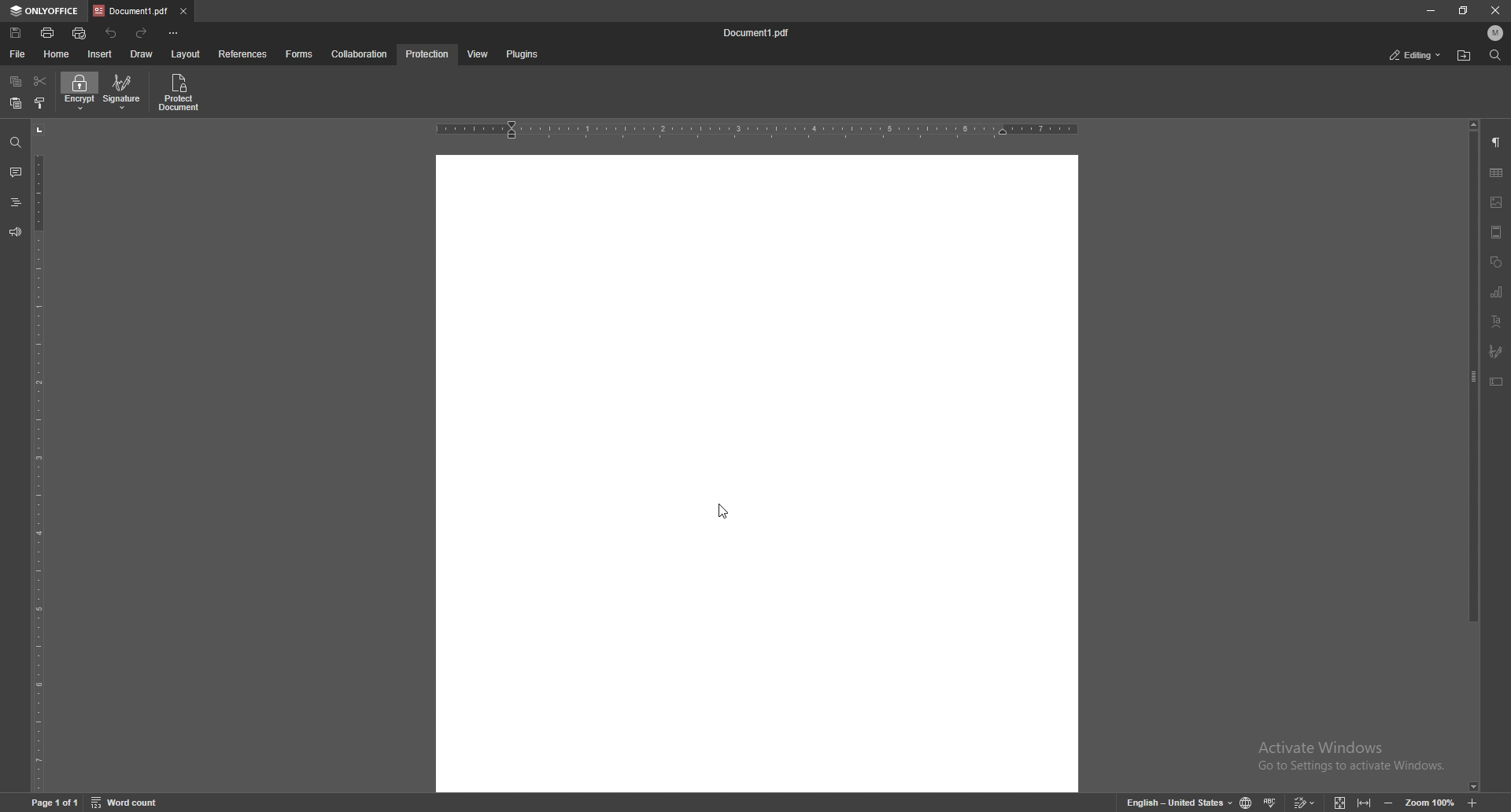  What do you see at coordinates (127, 802) in the screenshot?
I see `word count` at bounding box center [127, 802].